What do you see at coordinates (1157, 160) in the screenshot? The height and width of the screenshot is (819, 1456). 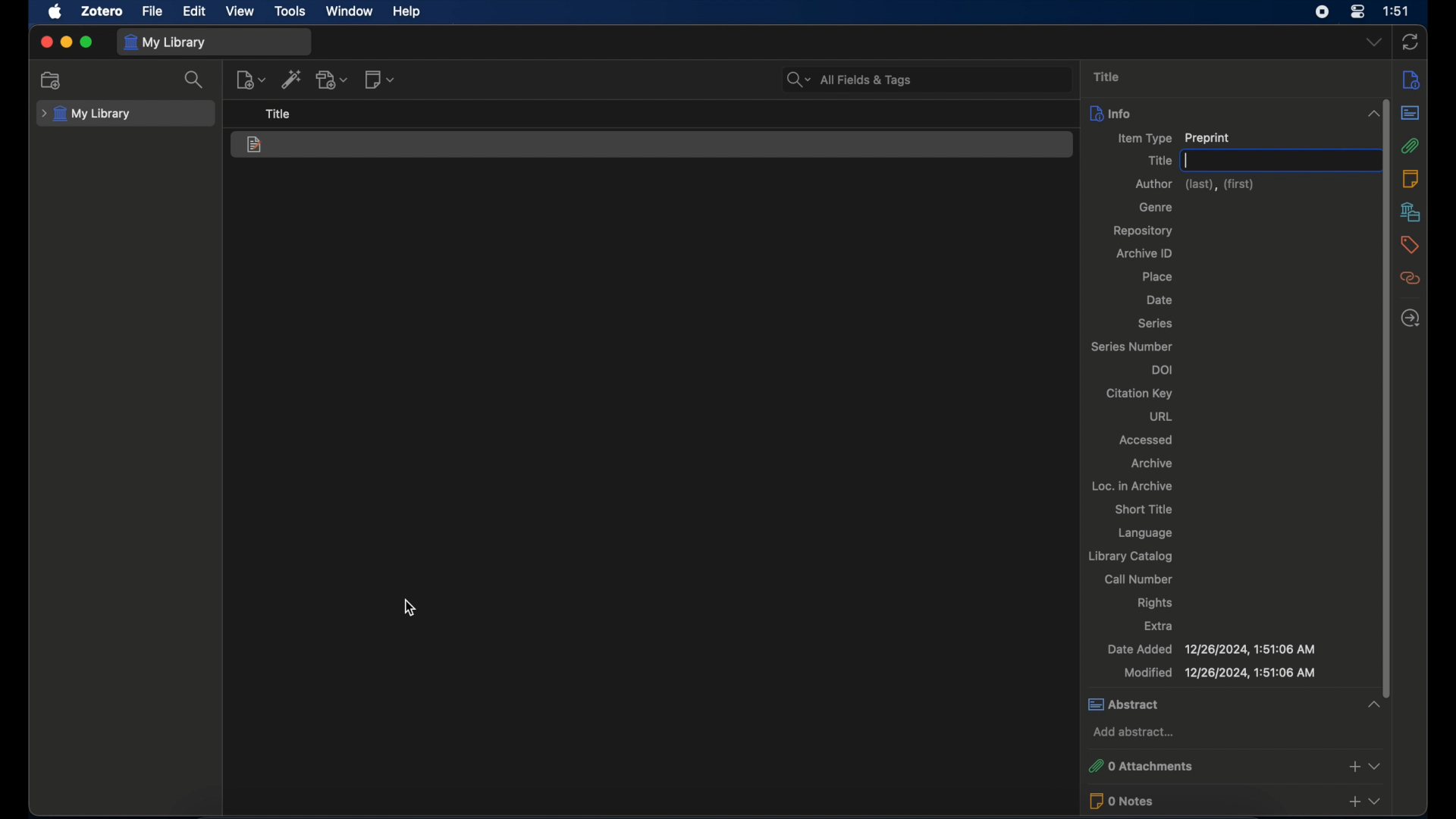 I see `title` at bounding box center [1157, 160].